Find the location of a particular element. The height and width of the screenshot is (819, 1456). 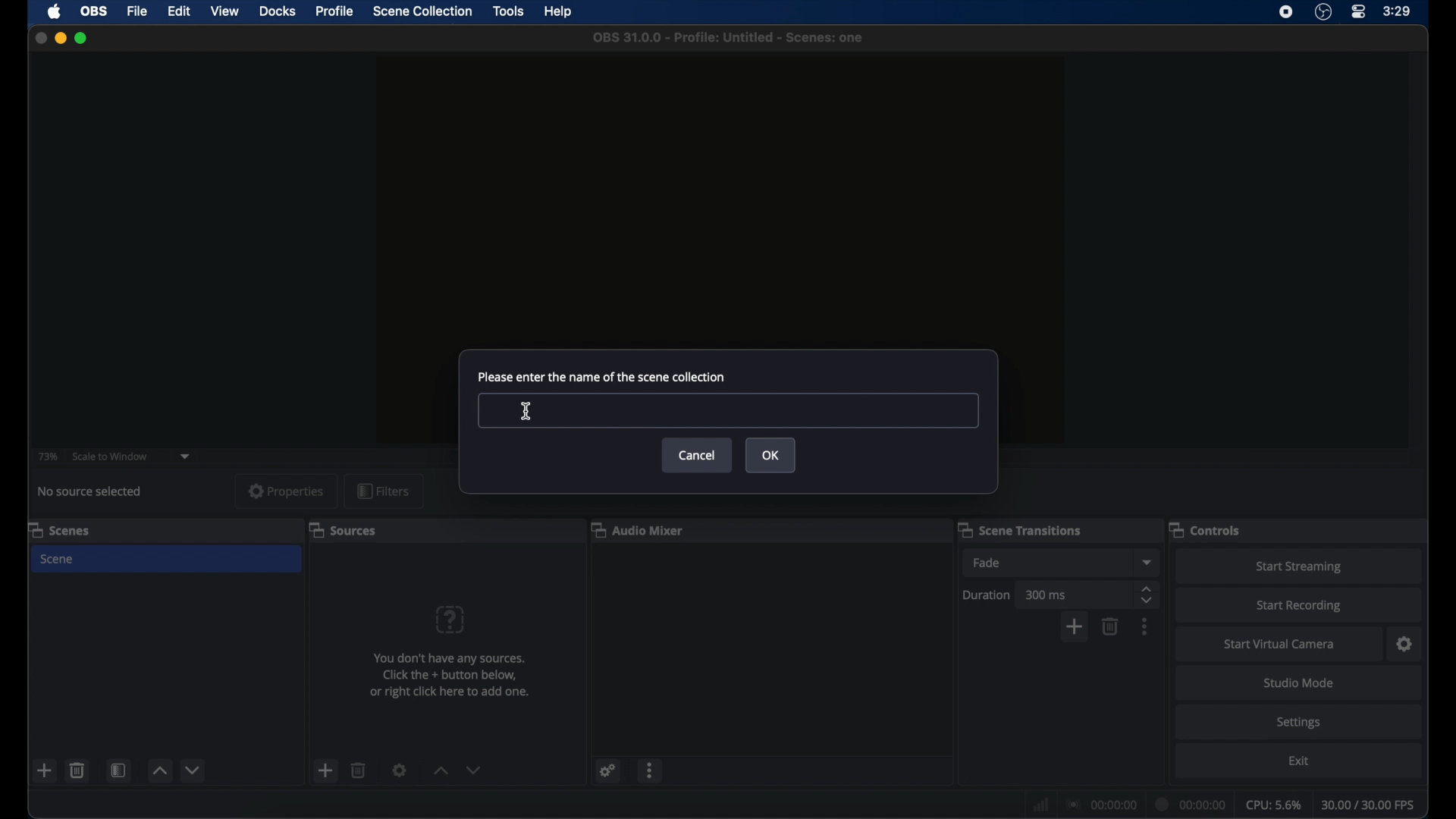

increment is located at coordinates (438, 770).